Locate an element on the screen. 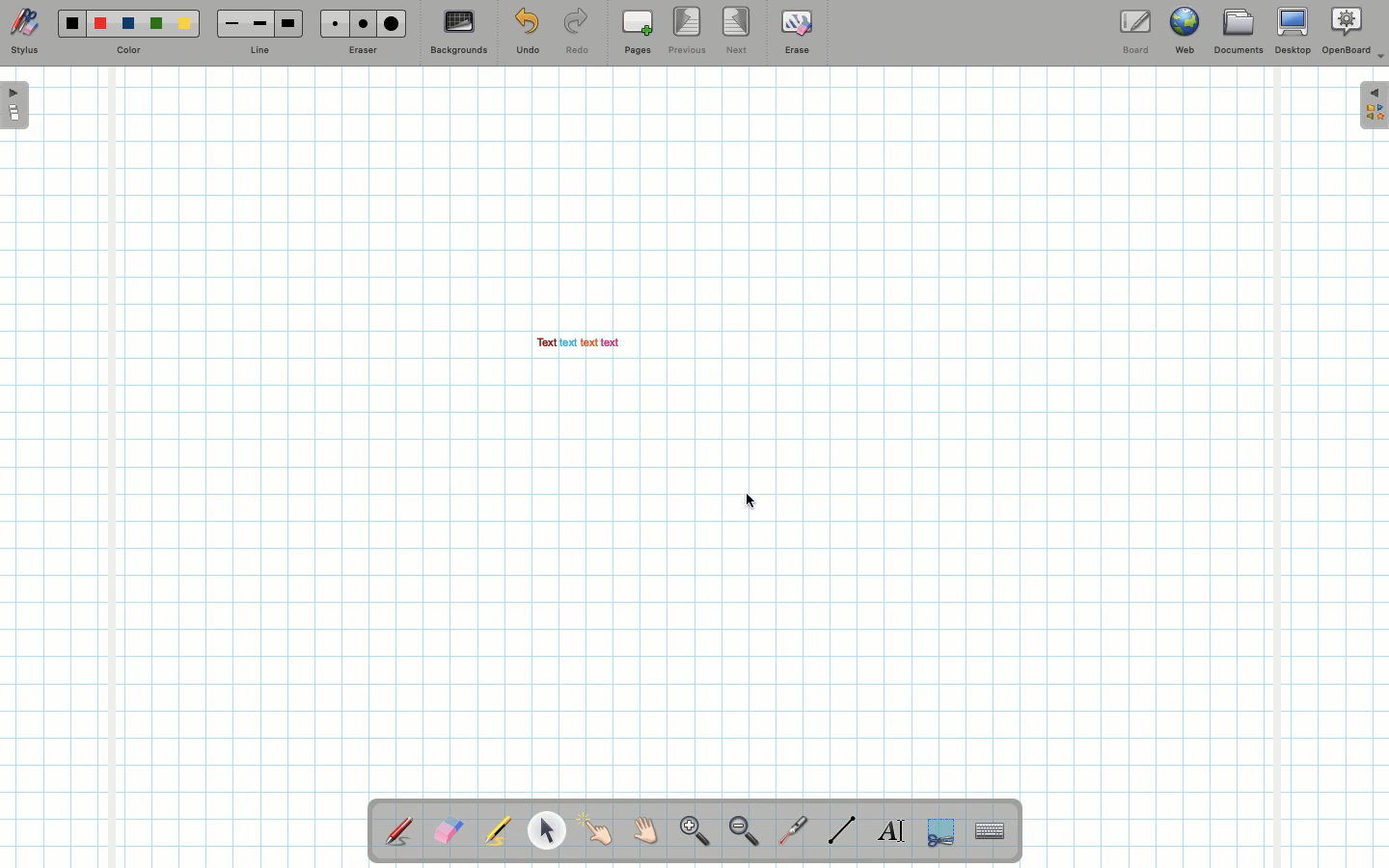  Green is located at coordinates (156, 25).